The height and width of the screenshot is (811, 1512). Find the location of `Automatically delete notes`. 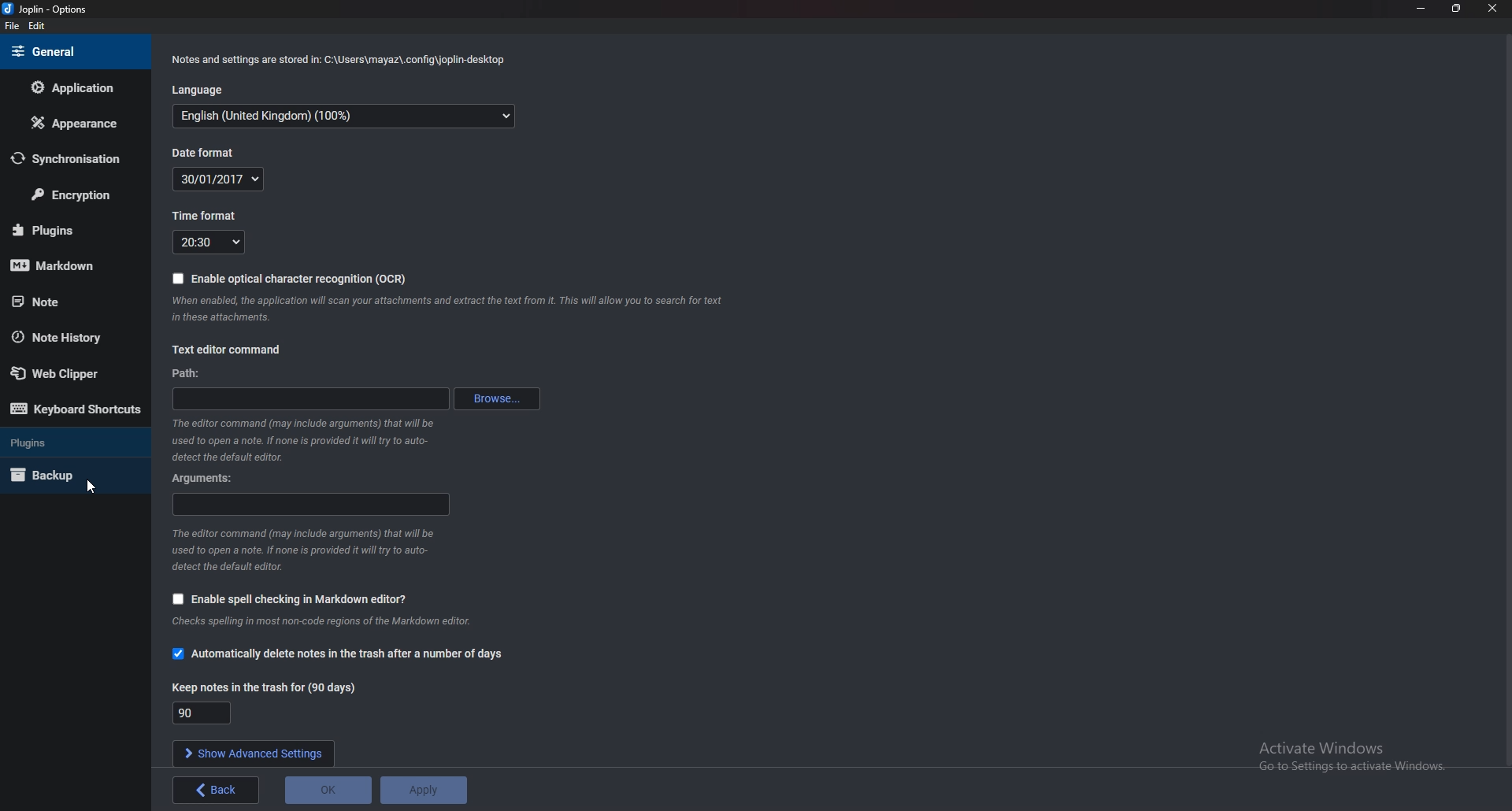

Automatically delete notes is located at coordinates (341, 653).